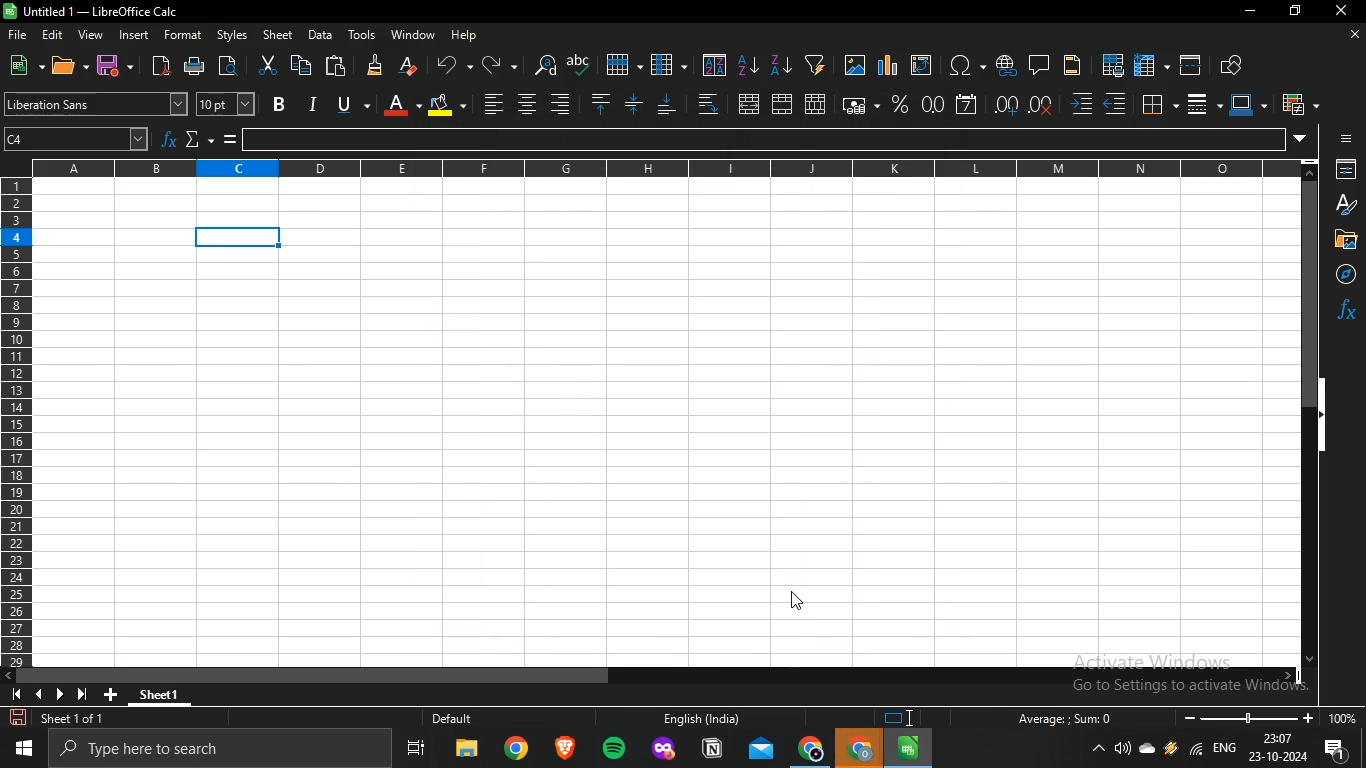  What do you see at coordinates (1223, 750) in the screenshot?
I see `english` at bounding box center [1223, 750].